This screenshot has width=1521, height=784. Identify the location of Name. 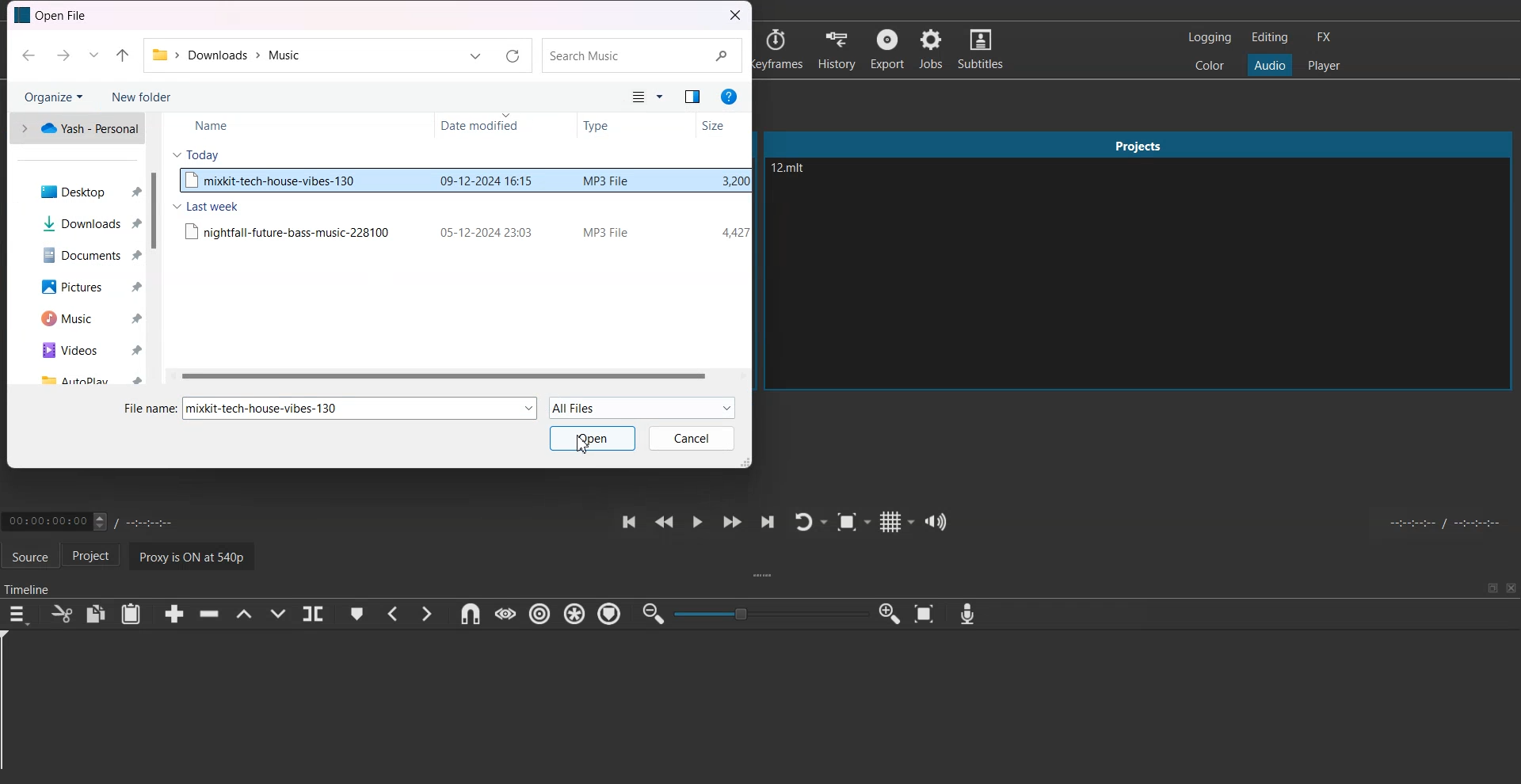
(272, 124).